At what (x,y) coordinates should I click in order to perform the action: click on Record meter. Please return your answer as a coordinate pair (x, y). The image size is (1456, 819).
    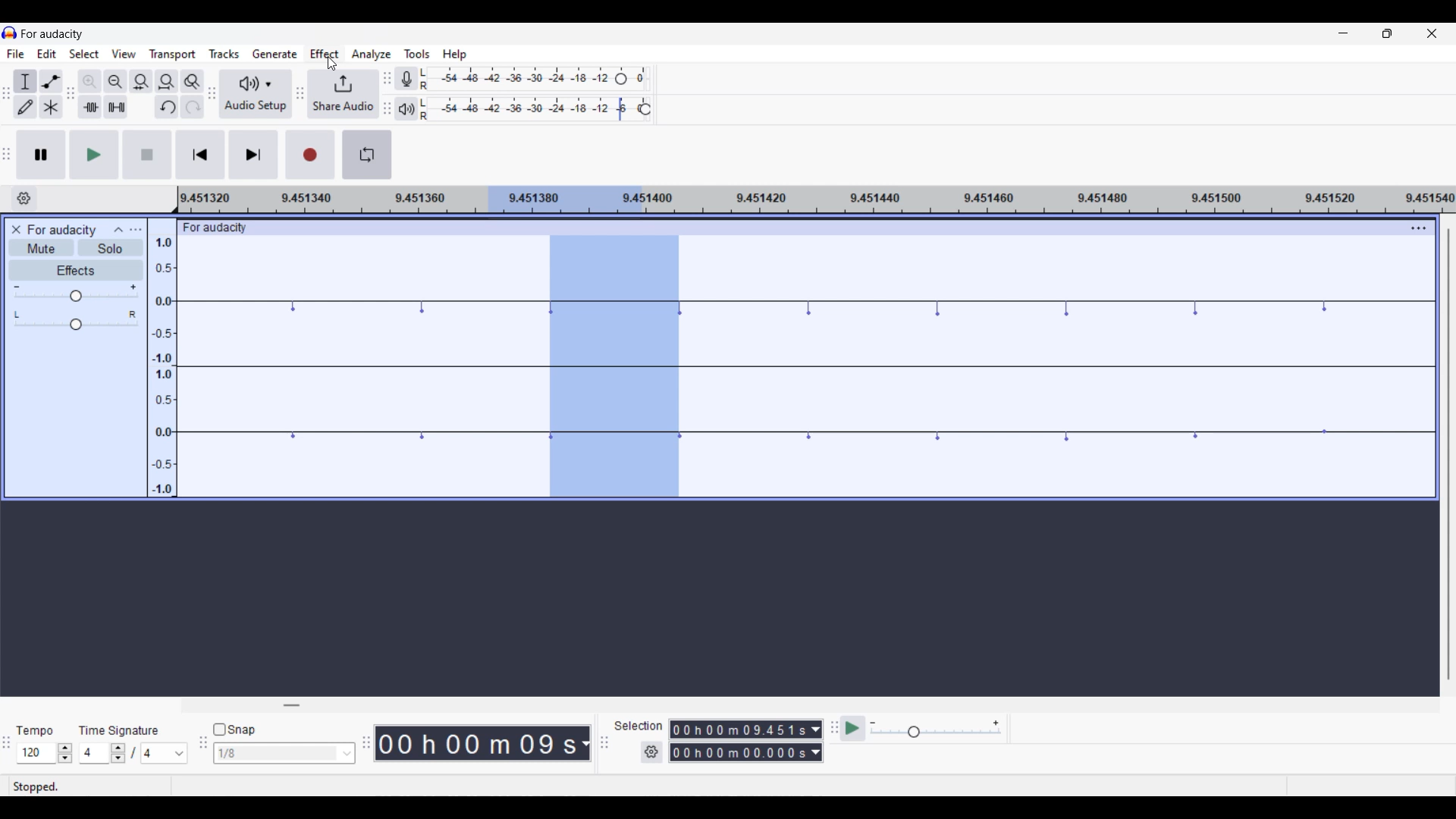
    Looking at the image, I should click on (406, 79).